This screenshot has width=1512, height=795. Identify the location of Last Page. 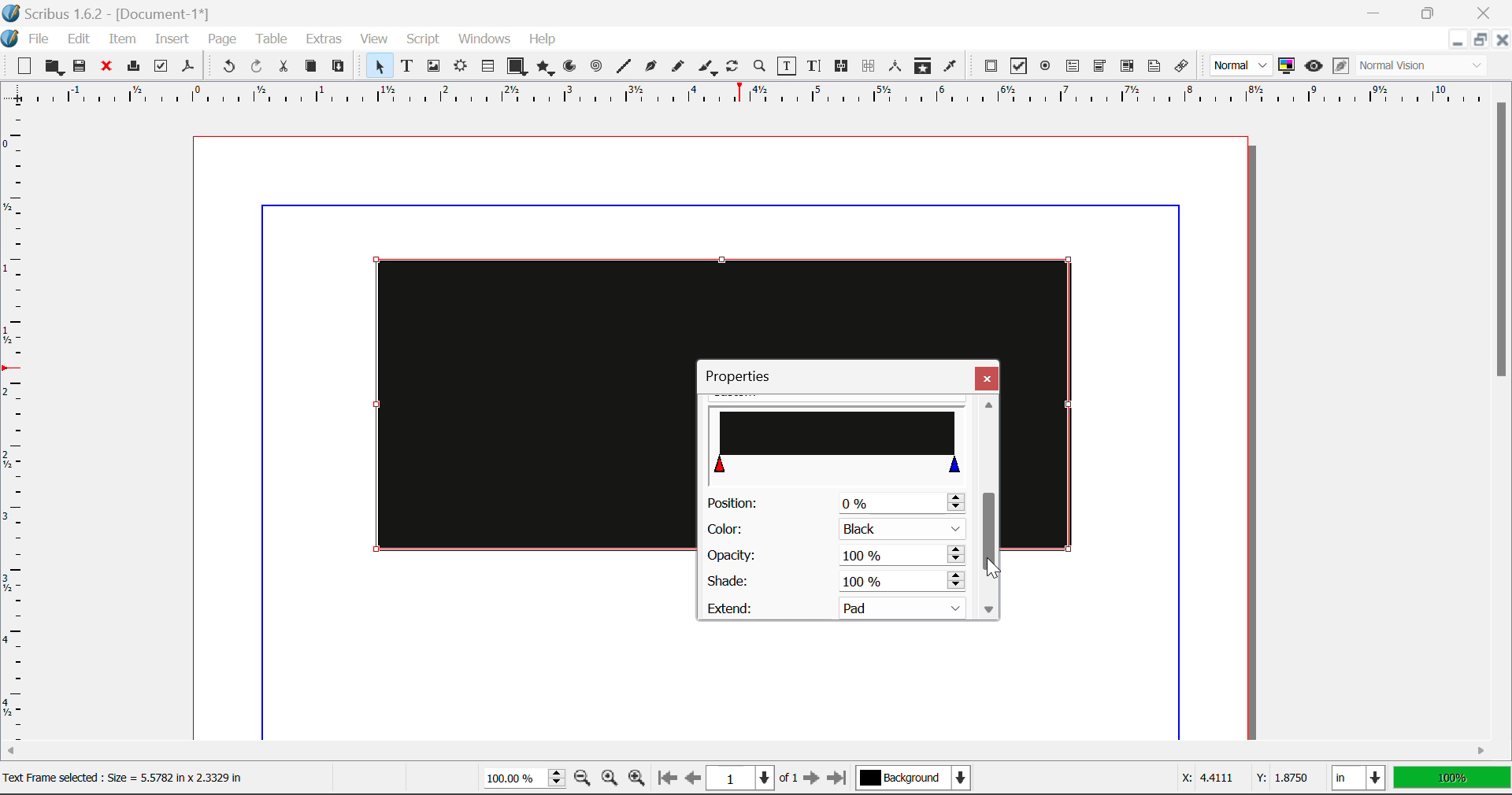
(840, 781).